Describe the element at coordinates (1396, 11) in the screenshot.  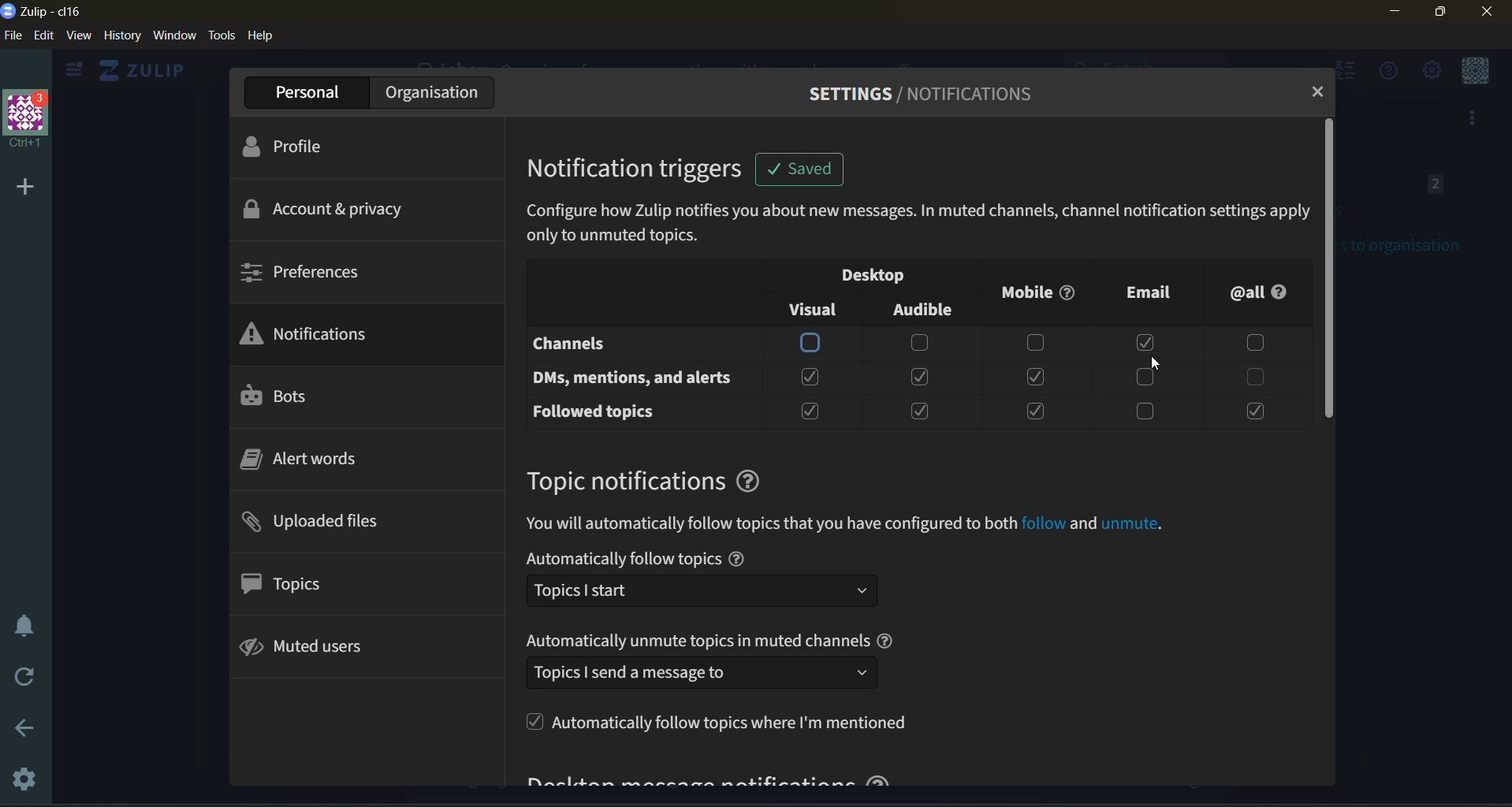
I see `minimize` at that location.